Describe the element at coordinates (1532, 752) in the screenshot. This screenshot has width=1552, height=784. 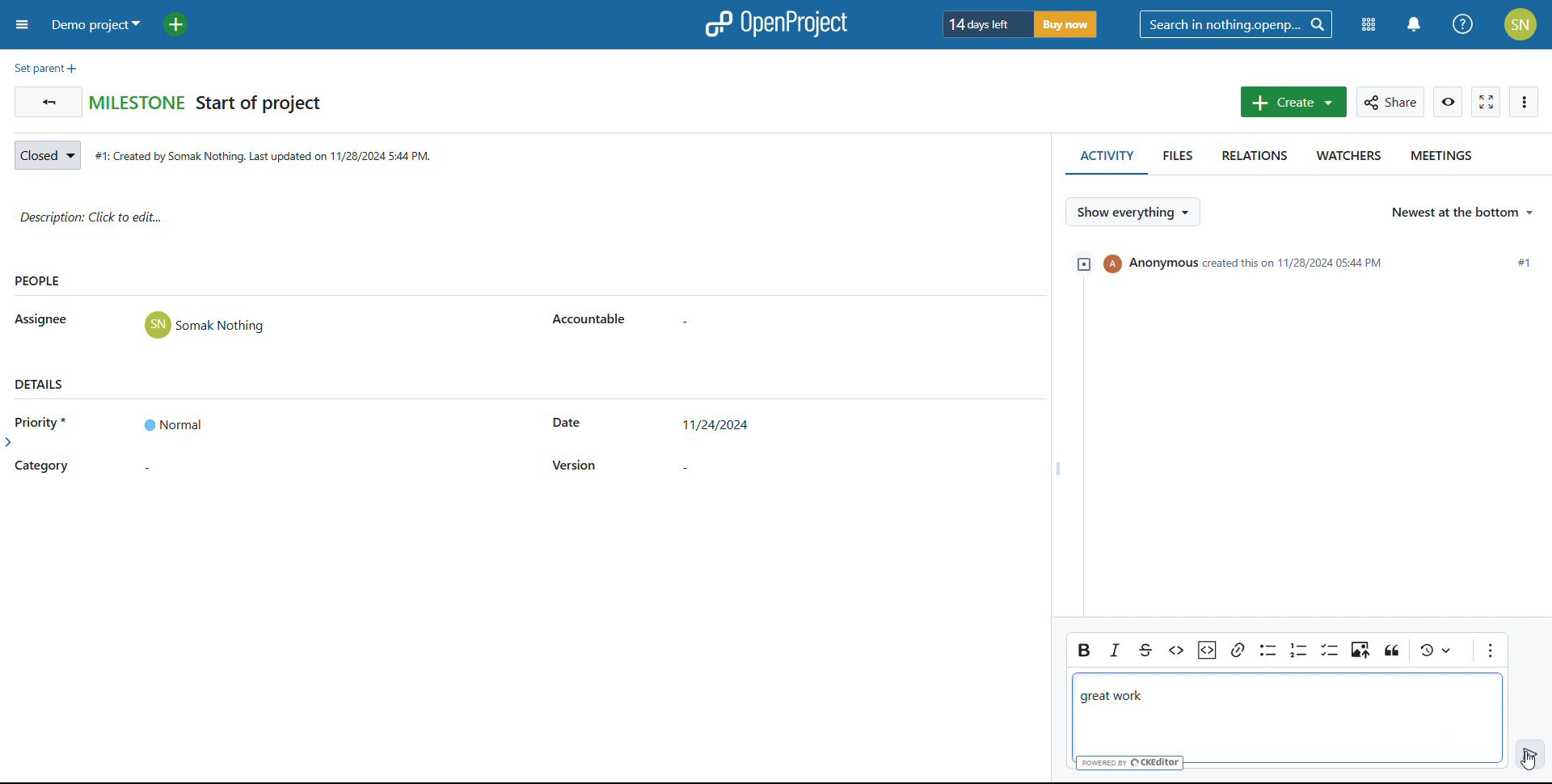
I see `enter` at that location.